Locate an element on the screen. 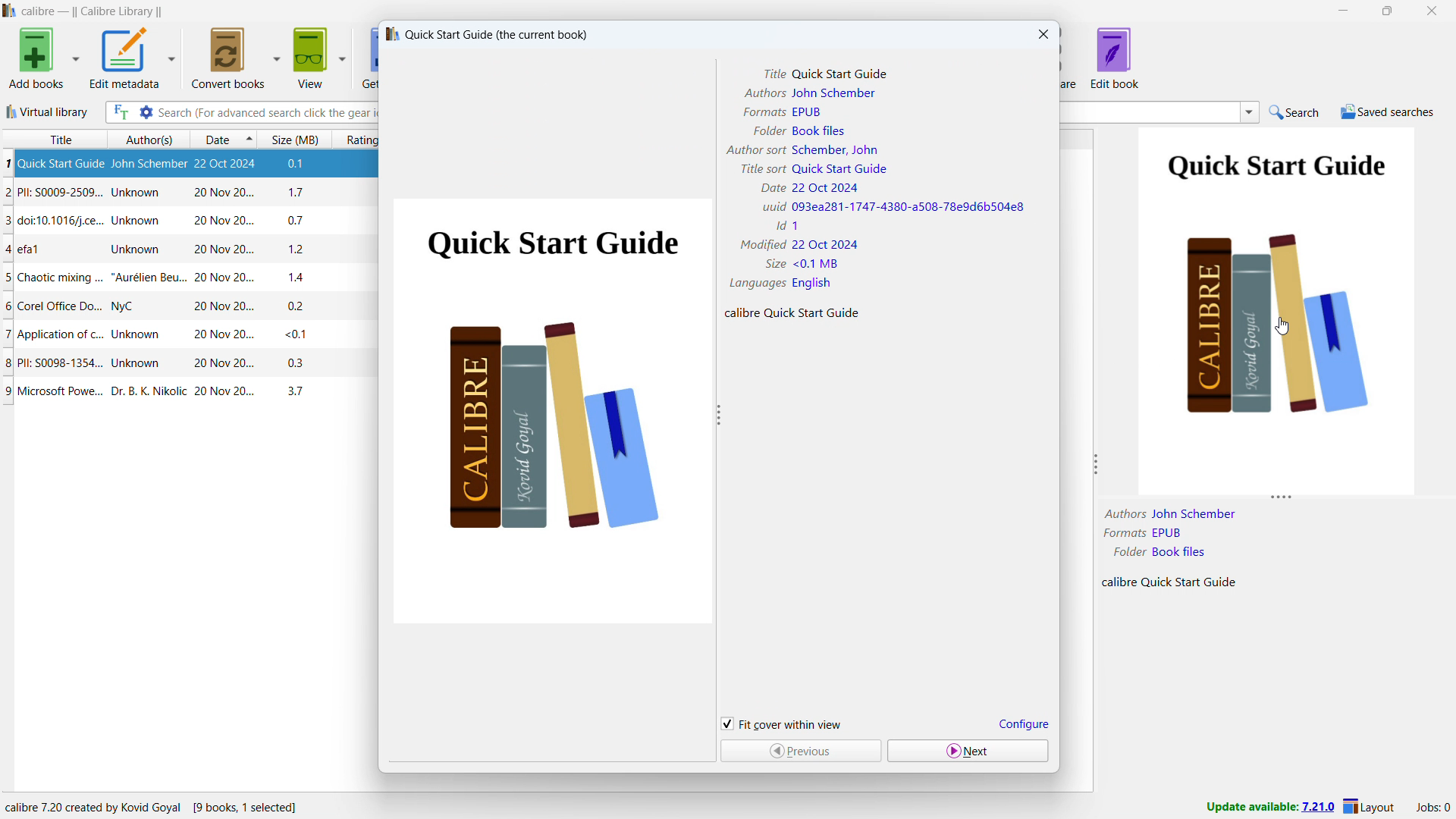 This screenshot has width=1456, height=819. date is located at coordinates (214, 139).